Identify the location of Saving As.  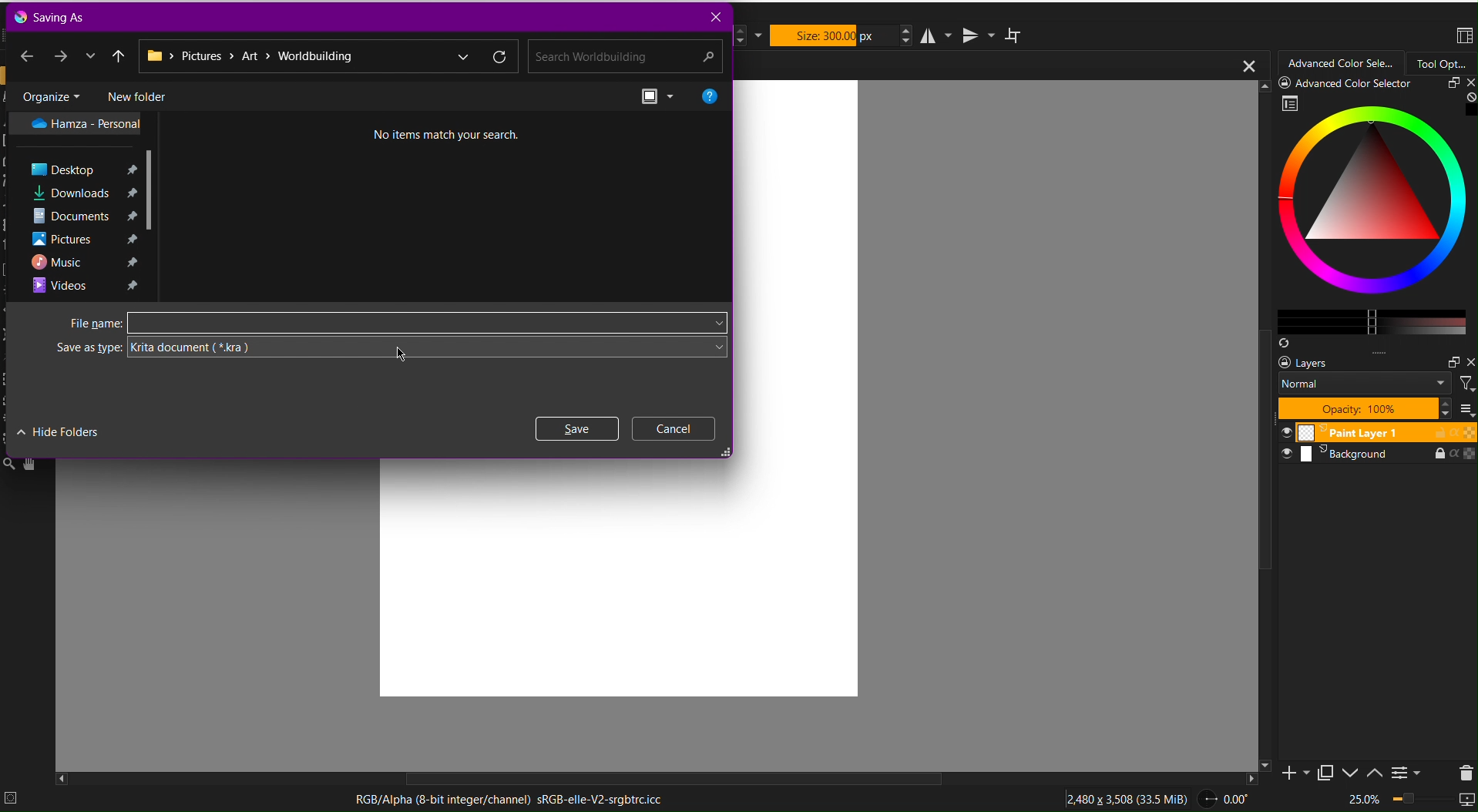
(53, 16).